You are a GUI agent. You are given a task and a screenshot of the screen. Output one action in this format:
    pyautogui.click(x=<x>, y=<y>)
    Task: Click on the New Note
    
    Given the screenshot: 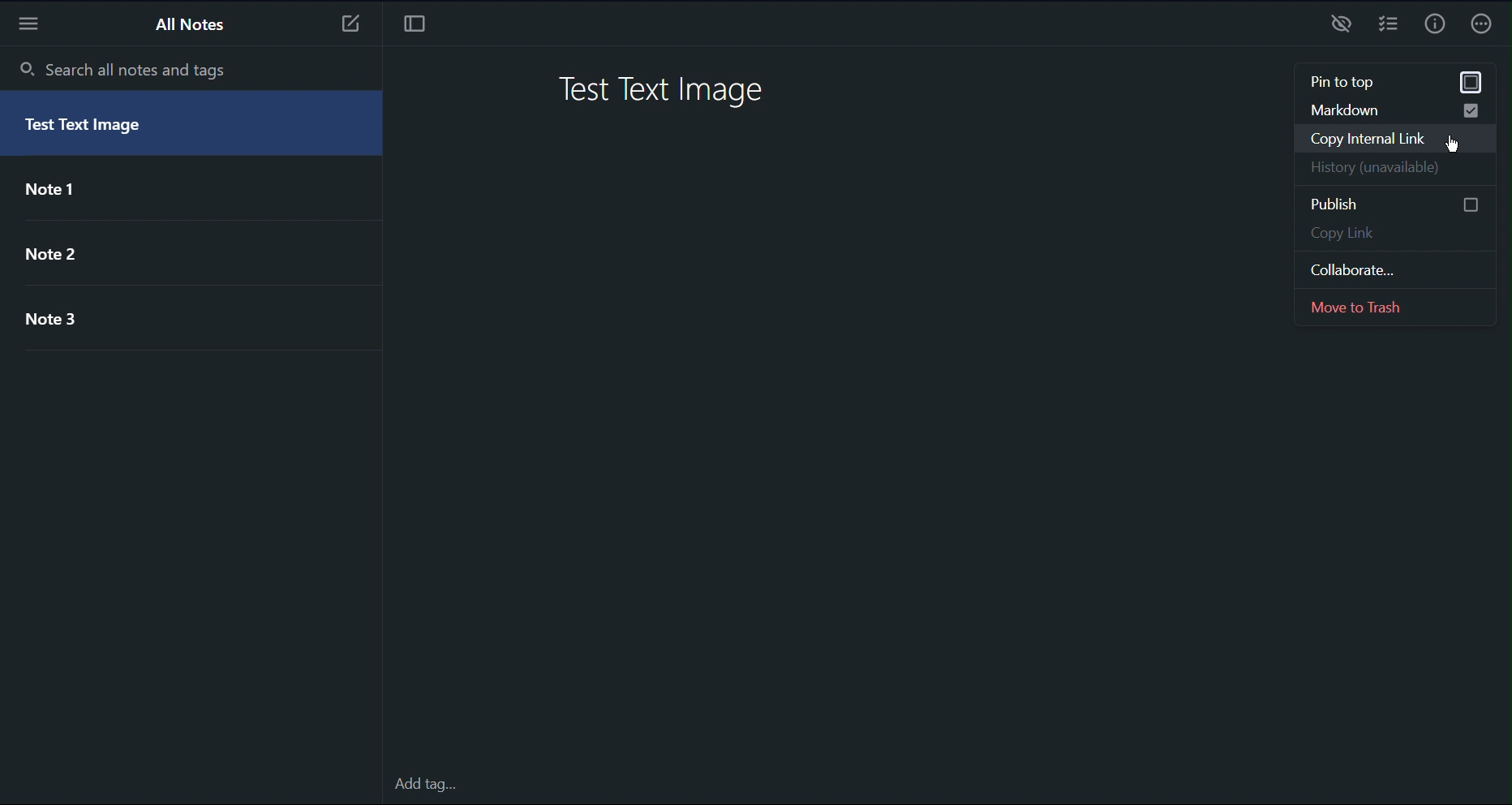 What is the action you would take?
    pyautogui.click(x=349, y=28)
    